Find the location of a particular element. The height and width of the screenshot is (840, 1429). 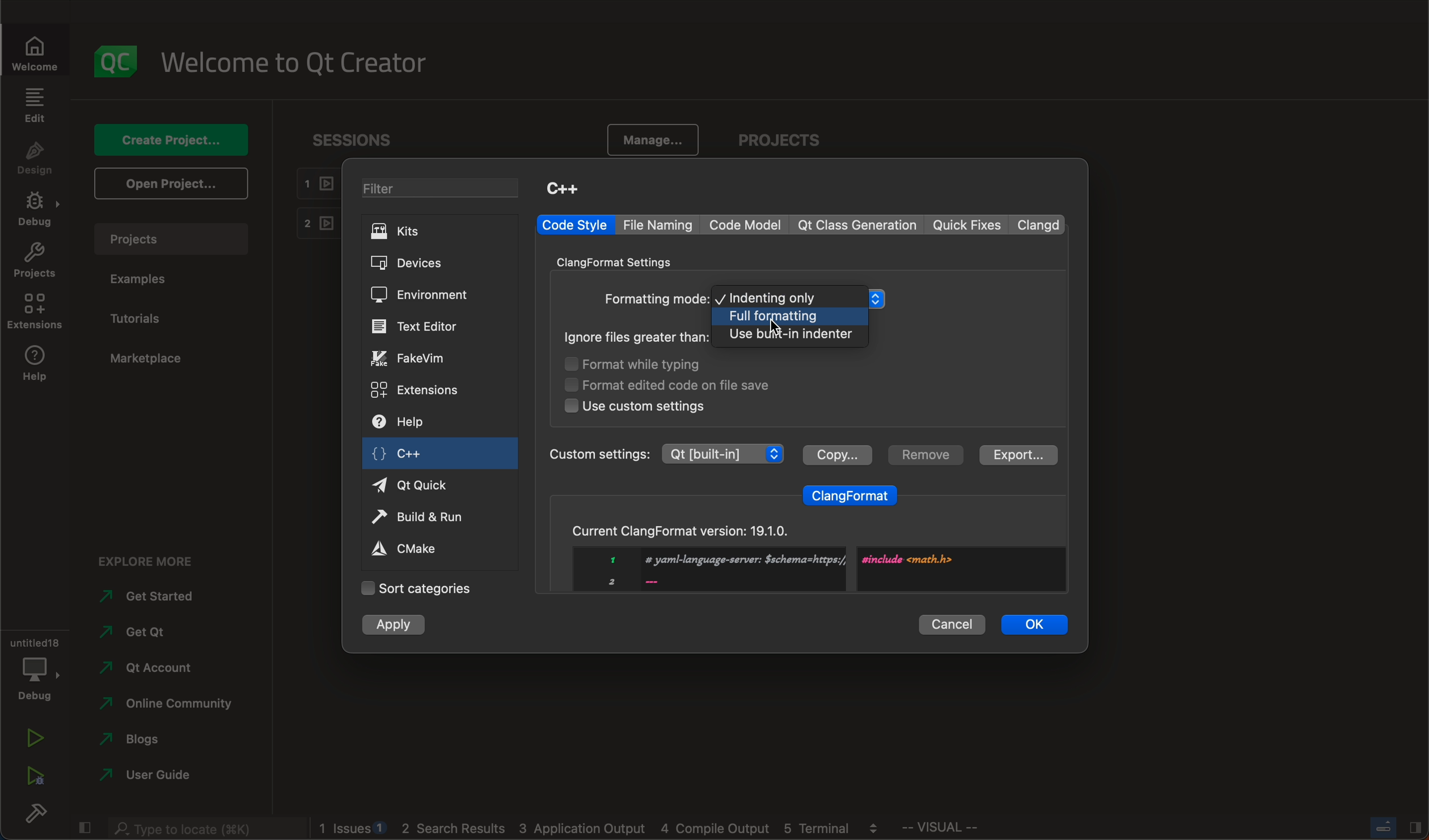

close slide bar is located at coordinates (83, 825).